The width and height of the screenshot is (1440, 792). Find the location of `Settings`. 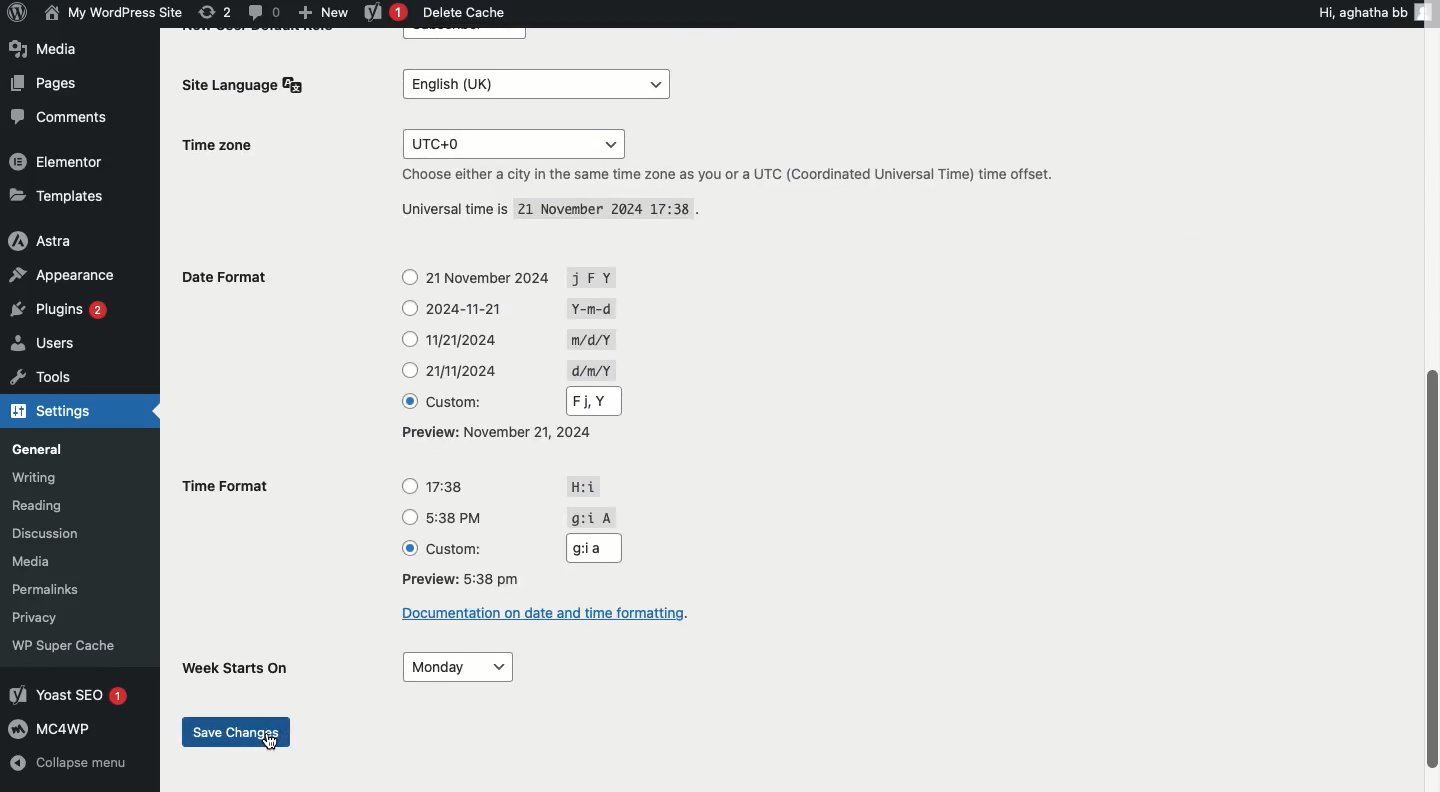

Settings is located at coordinates (57, 414).